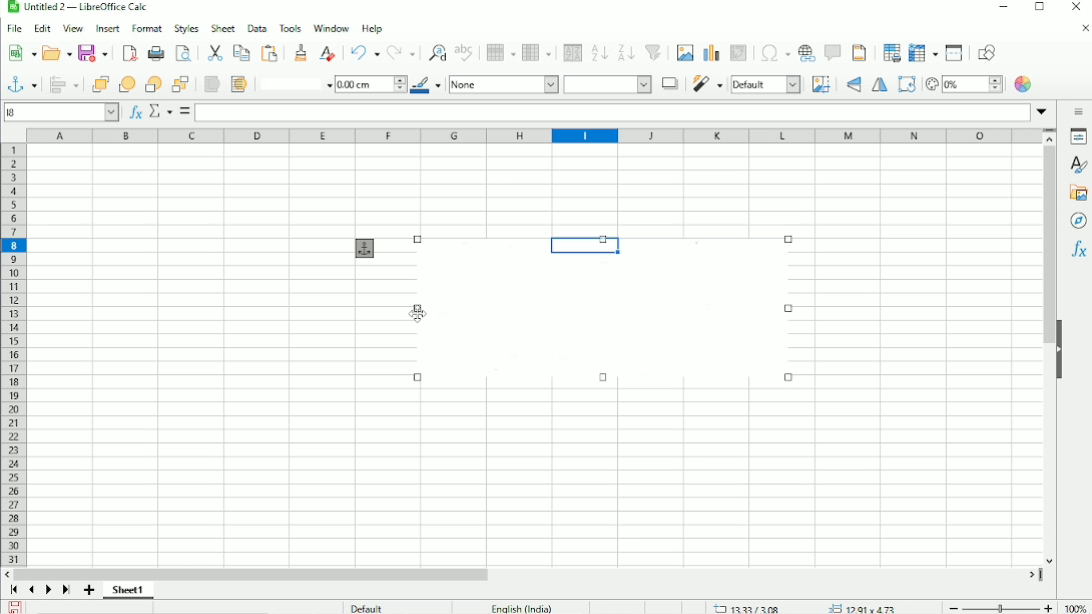 This screenshot has height=614, width=1092. Describe the element at coordinates (79, 8) in the screenshot. I see `Title` at that location.